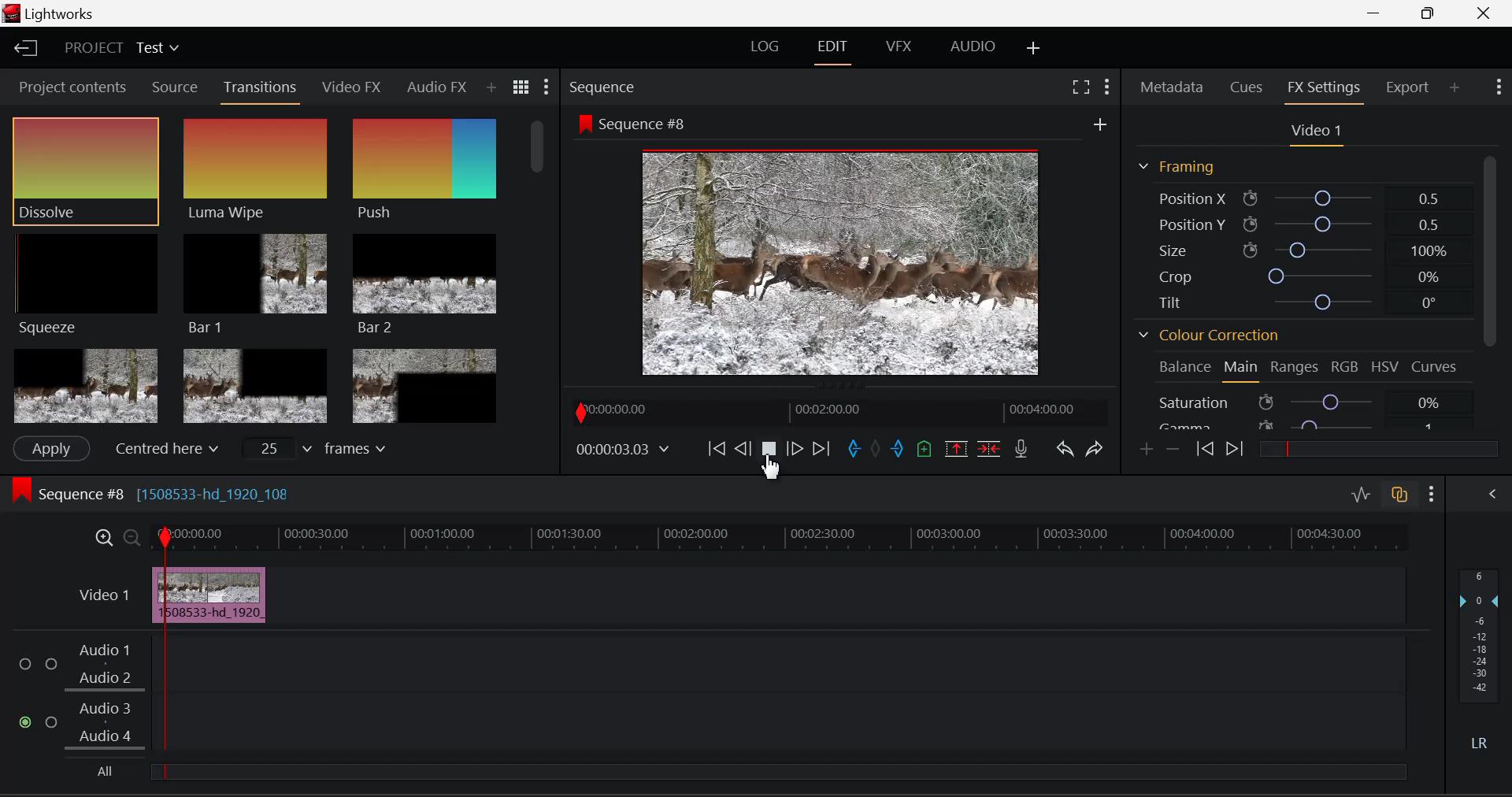 The width and height of the screenshot is (1512, 797). I want to click on VFX Layout, so click(902, 48).